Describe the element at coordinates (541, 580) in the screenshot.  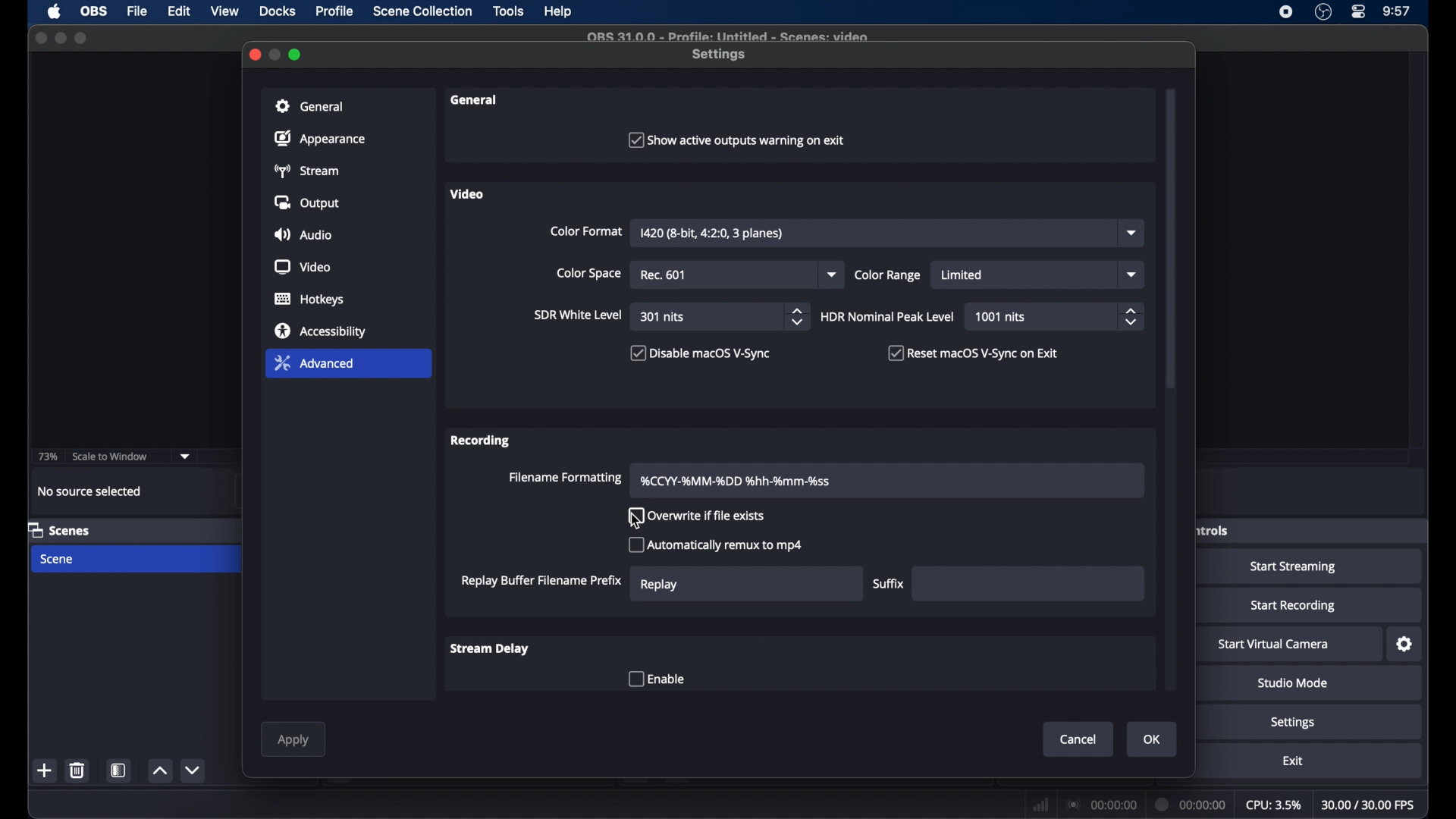
I see `reply buffer ` at that location.